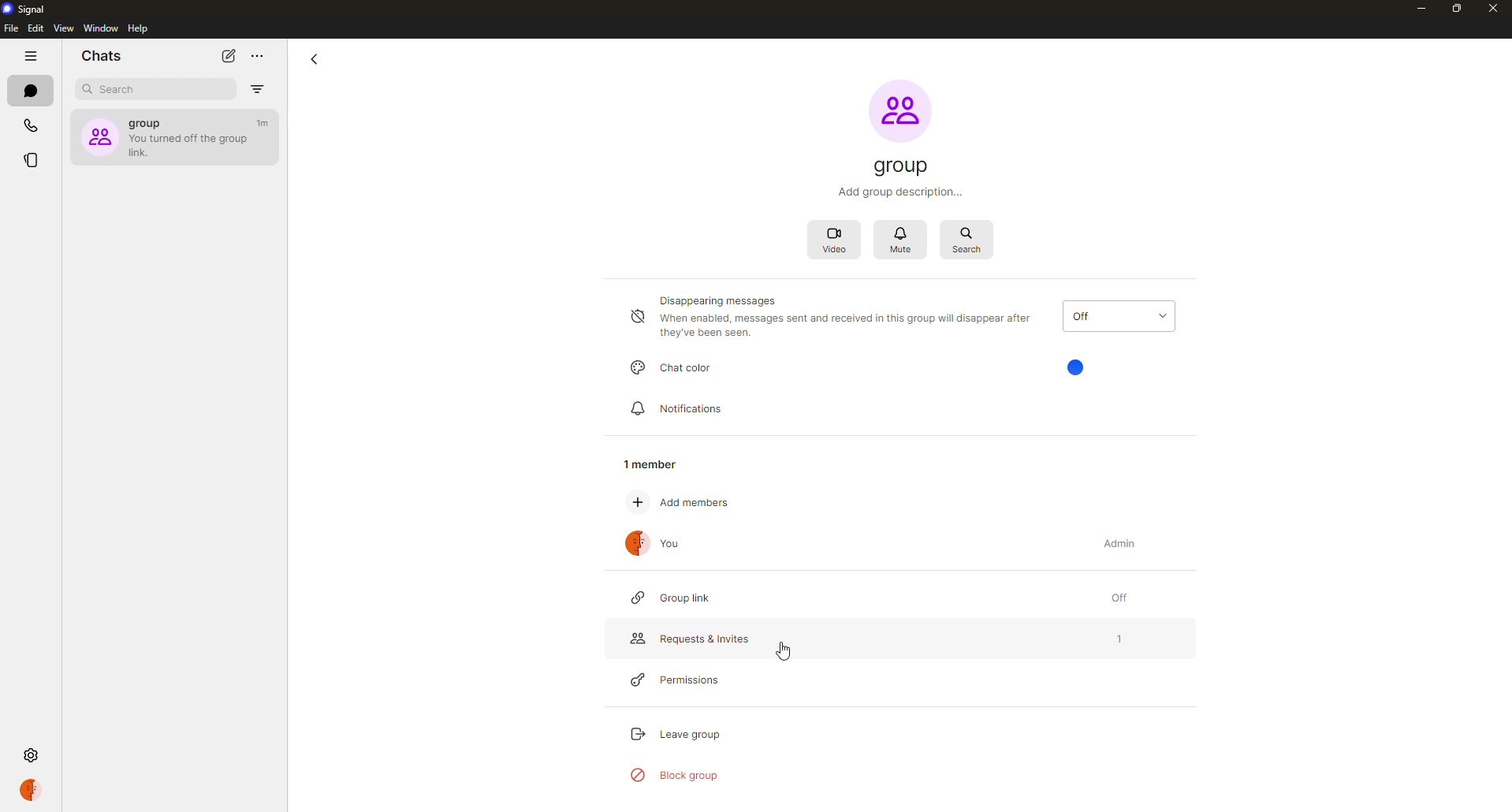  I want to click on requests and invites, so click(692, 640).